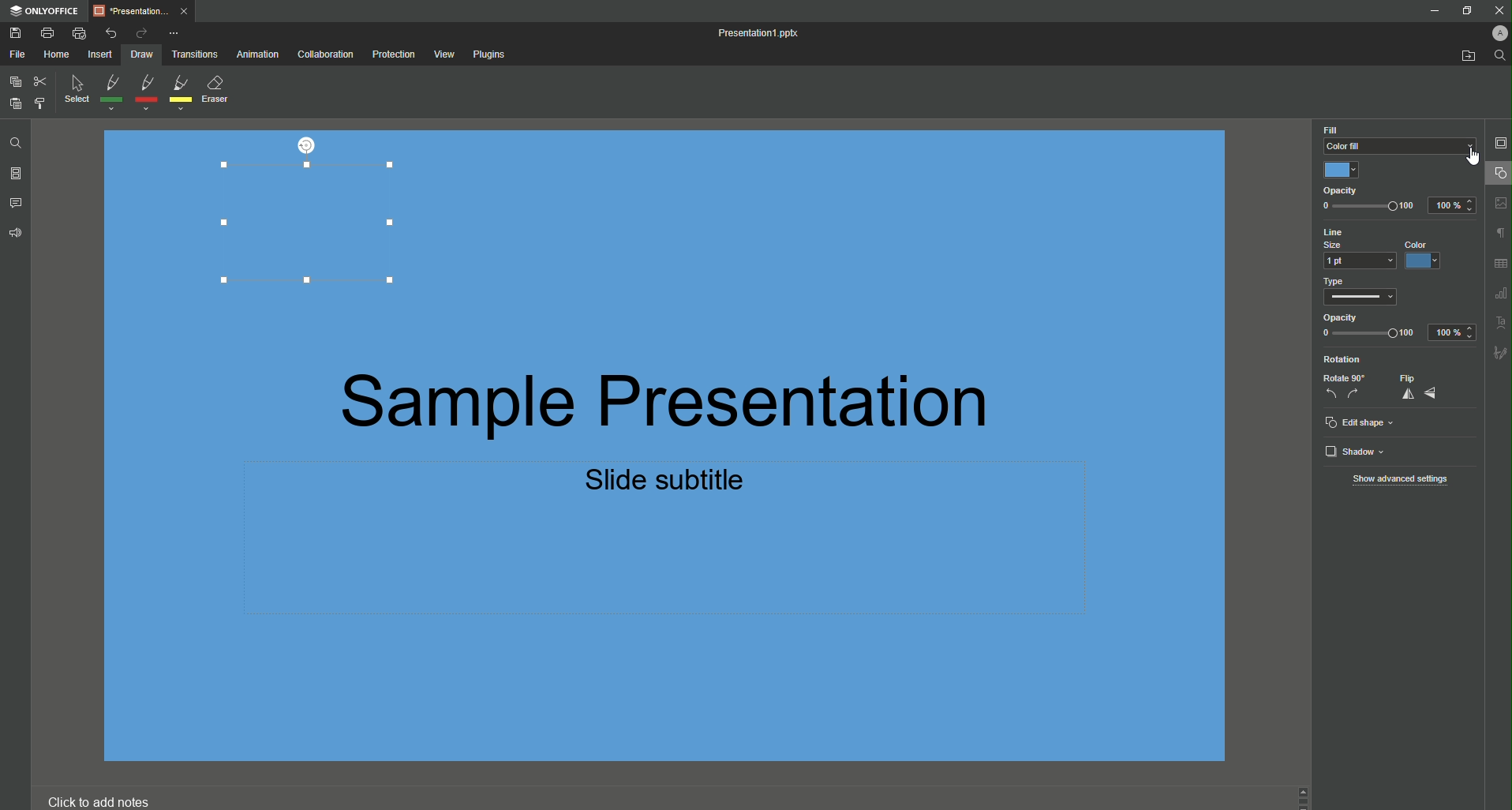  Describe the element at coordinates (1495, 10) in the screenshot. I see `Close` at that location.